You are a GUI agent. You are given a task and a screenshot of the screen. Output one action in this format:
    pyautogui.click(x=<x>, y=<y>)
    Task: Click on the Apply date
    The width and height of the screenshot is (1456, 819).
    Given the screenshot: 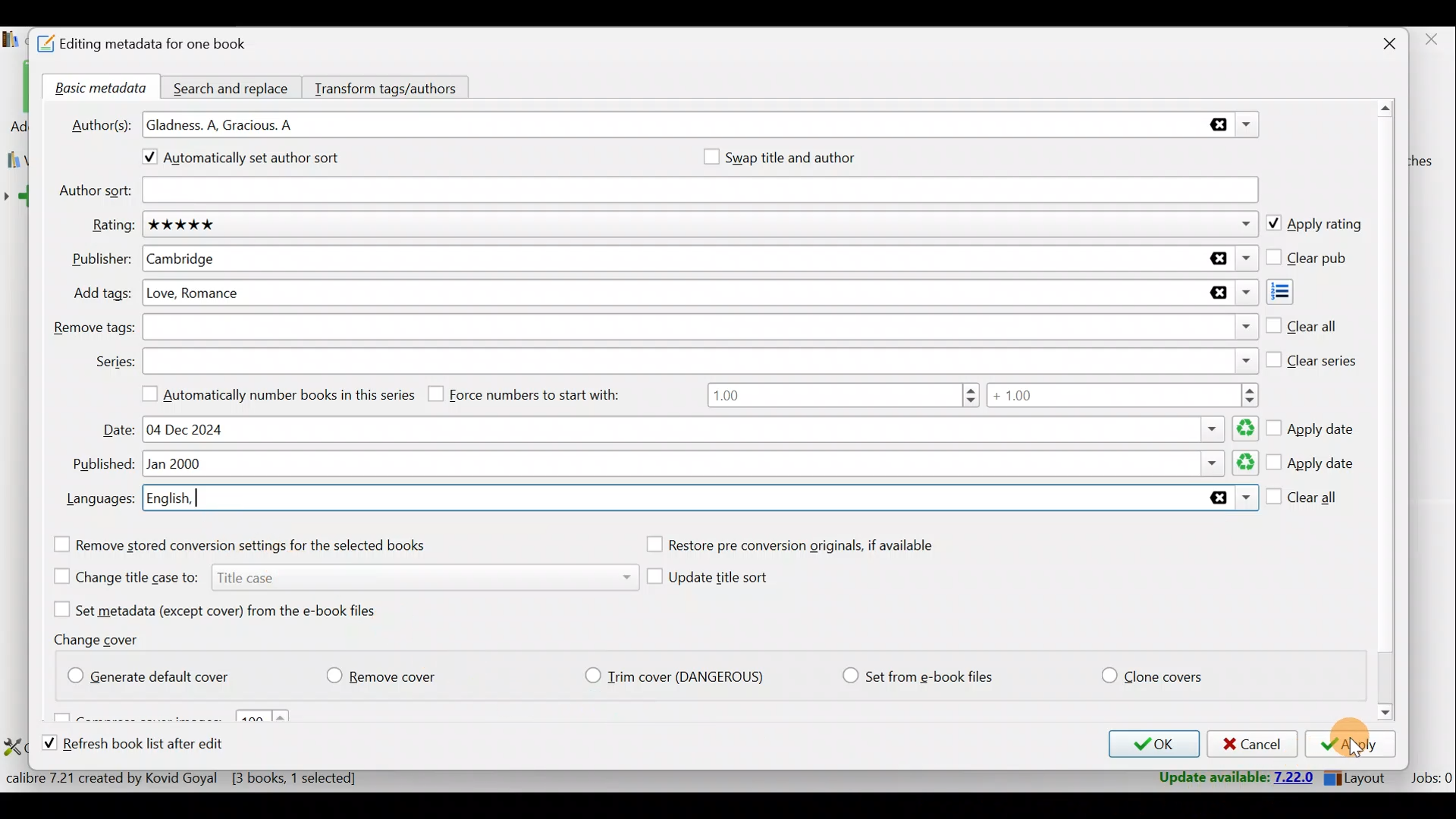 What is the action you would take?
    pyautogui.click(x=1313, y=424)
    